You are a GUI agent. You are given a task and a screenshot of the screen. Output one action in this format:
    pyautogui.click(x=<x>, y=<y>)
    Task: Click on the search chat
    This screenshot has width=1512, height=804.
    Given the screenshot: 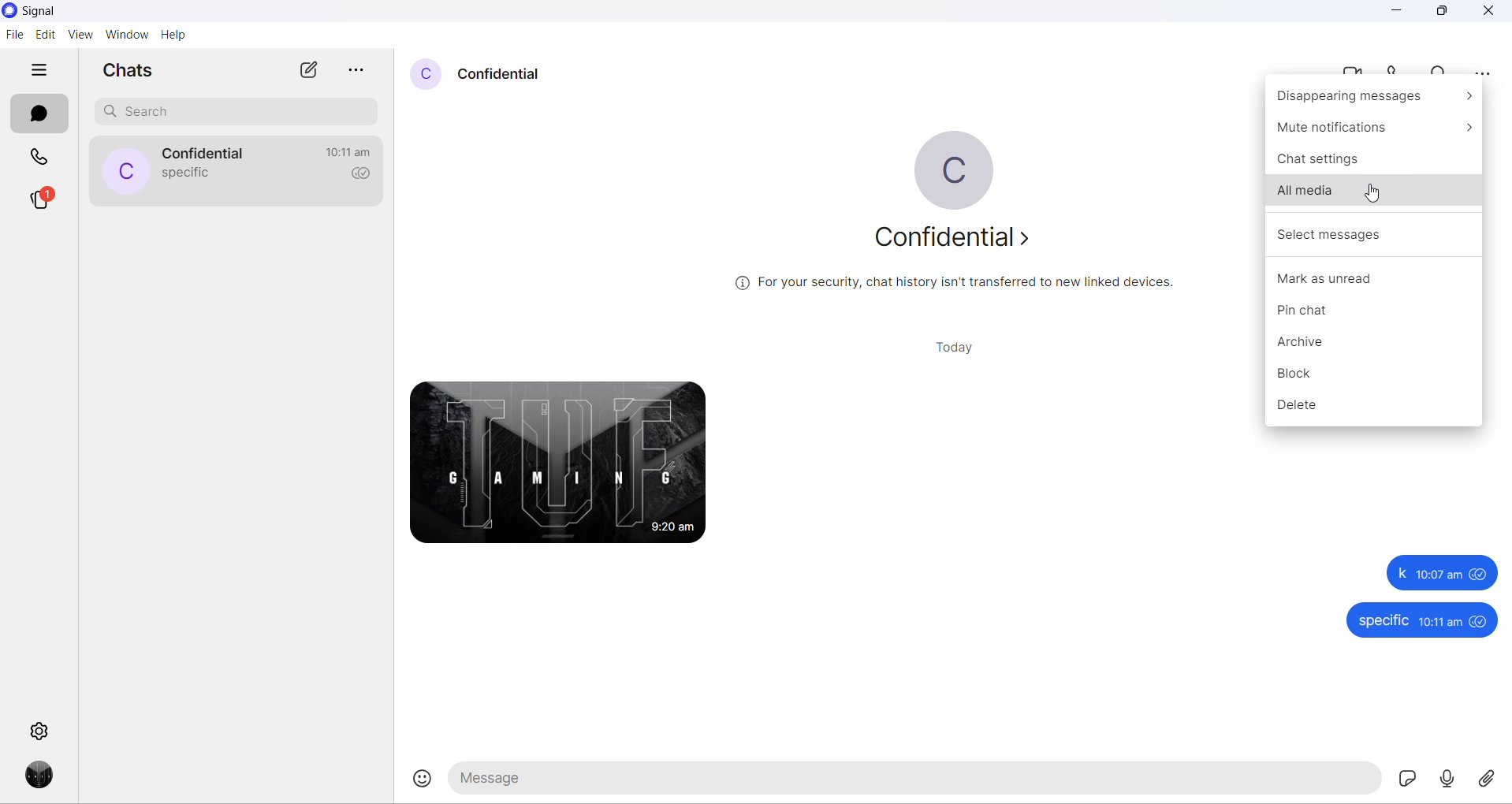 What is the action you would take?
    pyautogui.click(x=240, y=113)
    